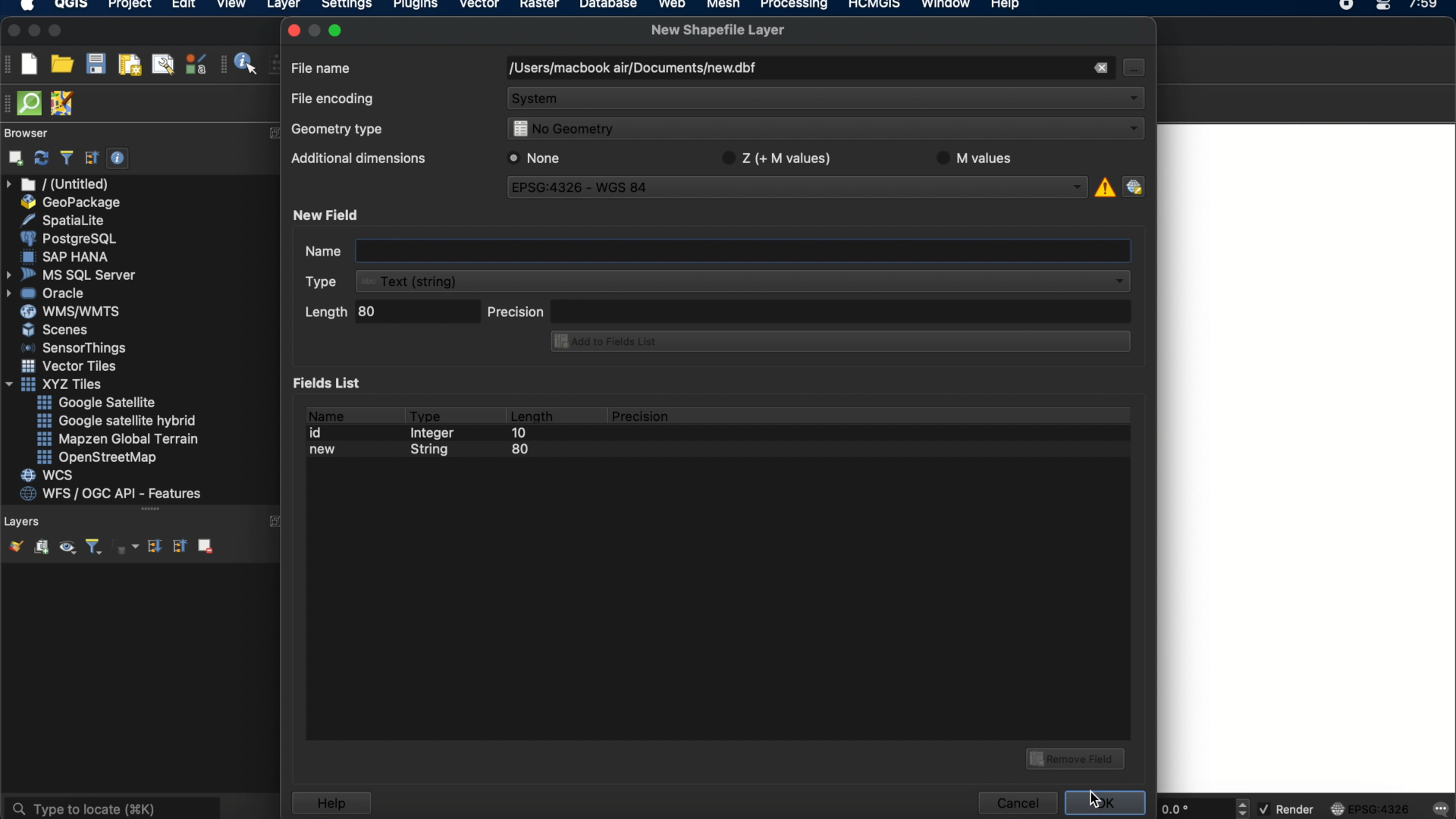 This screenshot has width=1456, height=819. I want to click on expand all, so click(152, 547).